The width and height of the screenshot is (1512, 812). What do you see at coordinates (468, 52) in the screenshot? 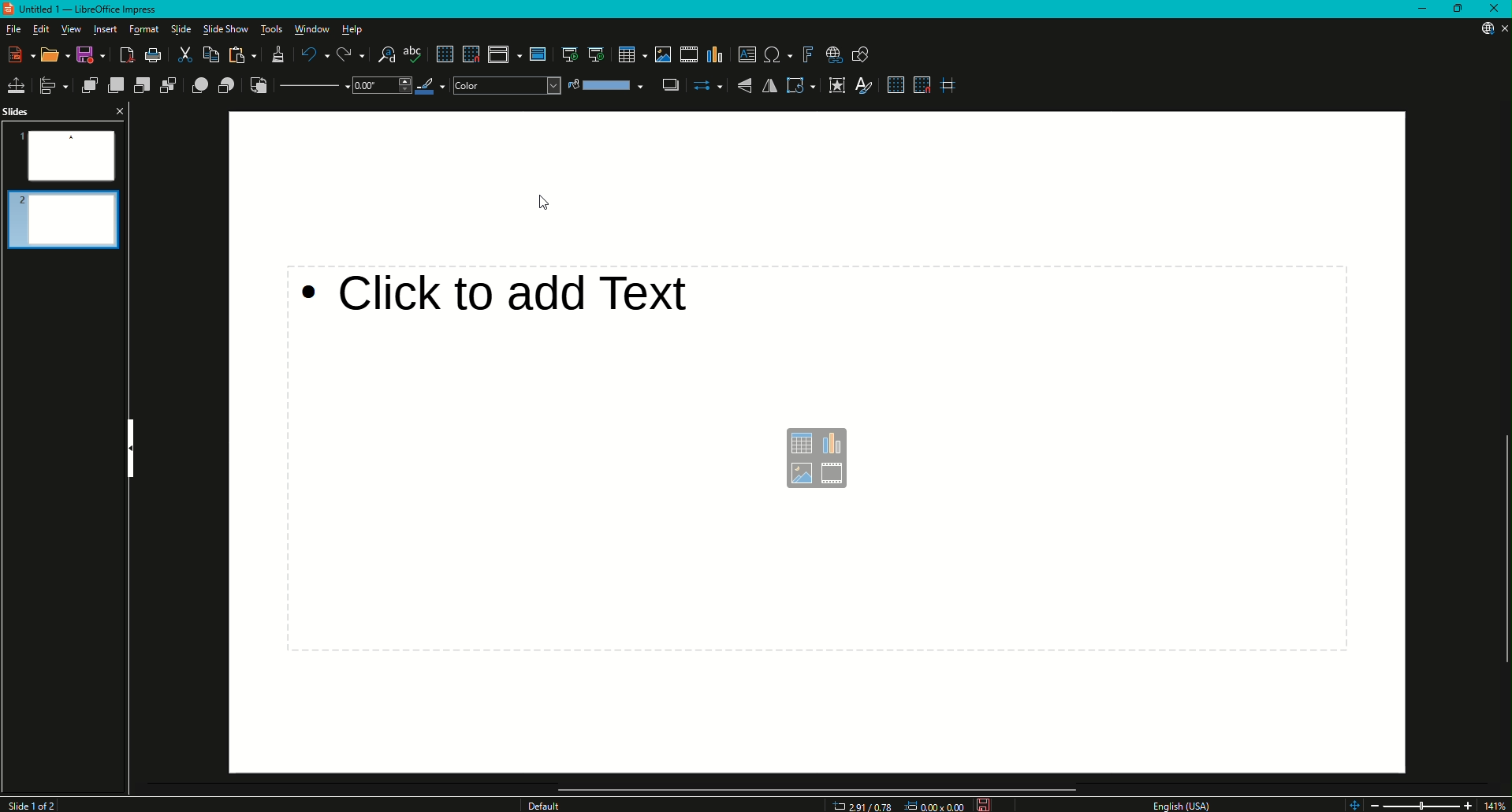
I see `Snap to Grid` at bounding box center [468, 52].